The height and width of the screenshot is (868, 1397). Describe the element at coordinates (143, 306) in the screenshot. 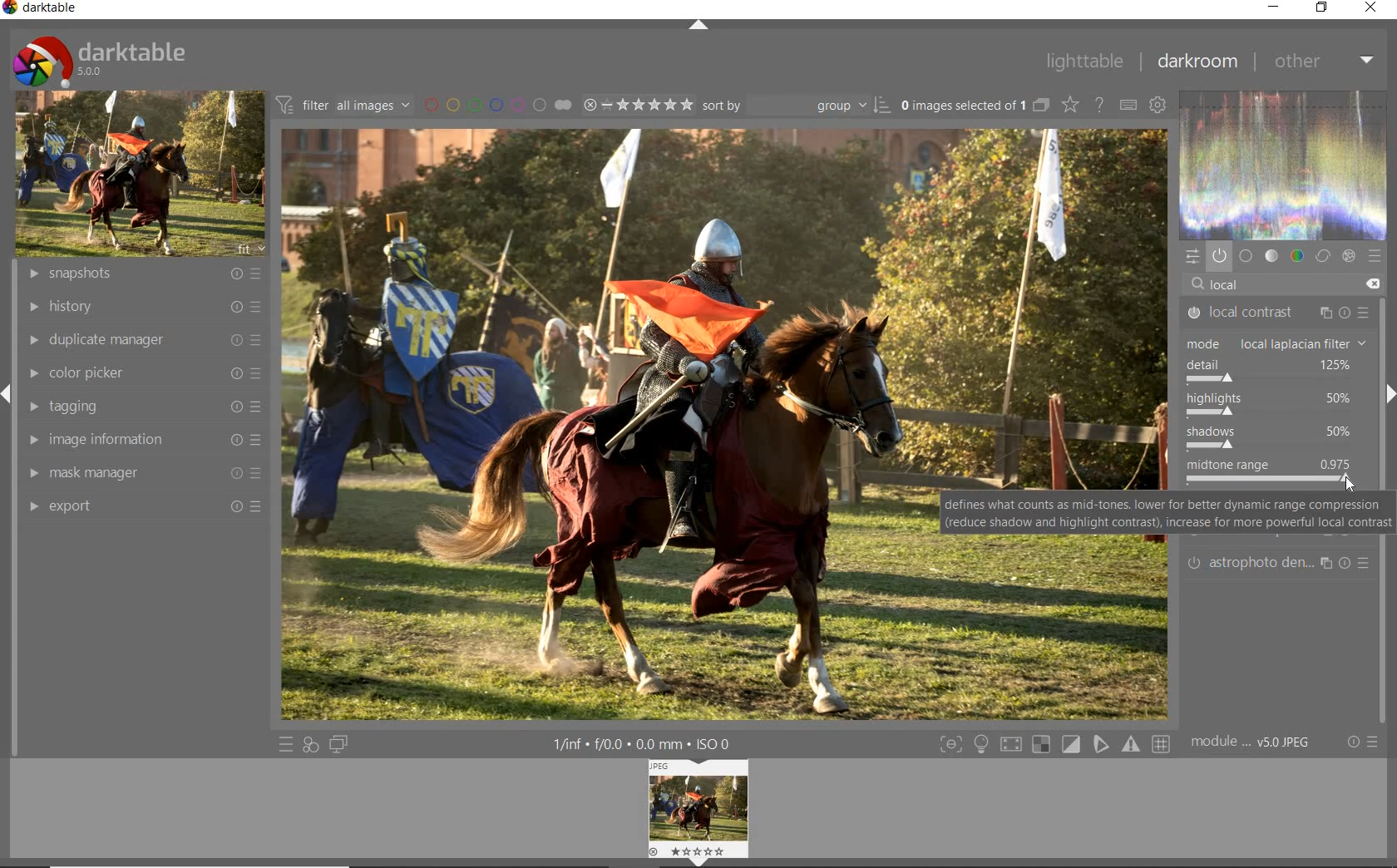

I see `history` at that location.